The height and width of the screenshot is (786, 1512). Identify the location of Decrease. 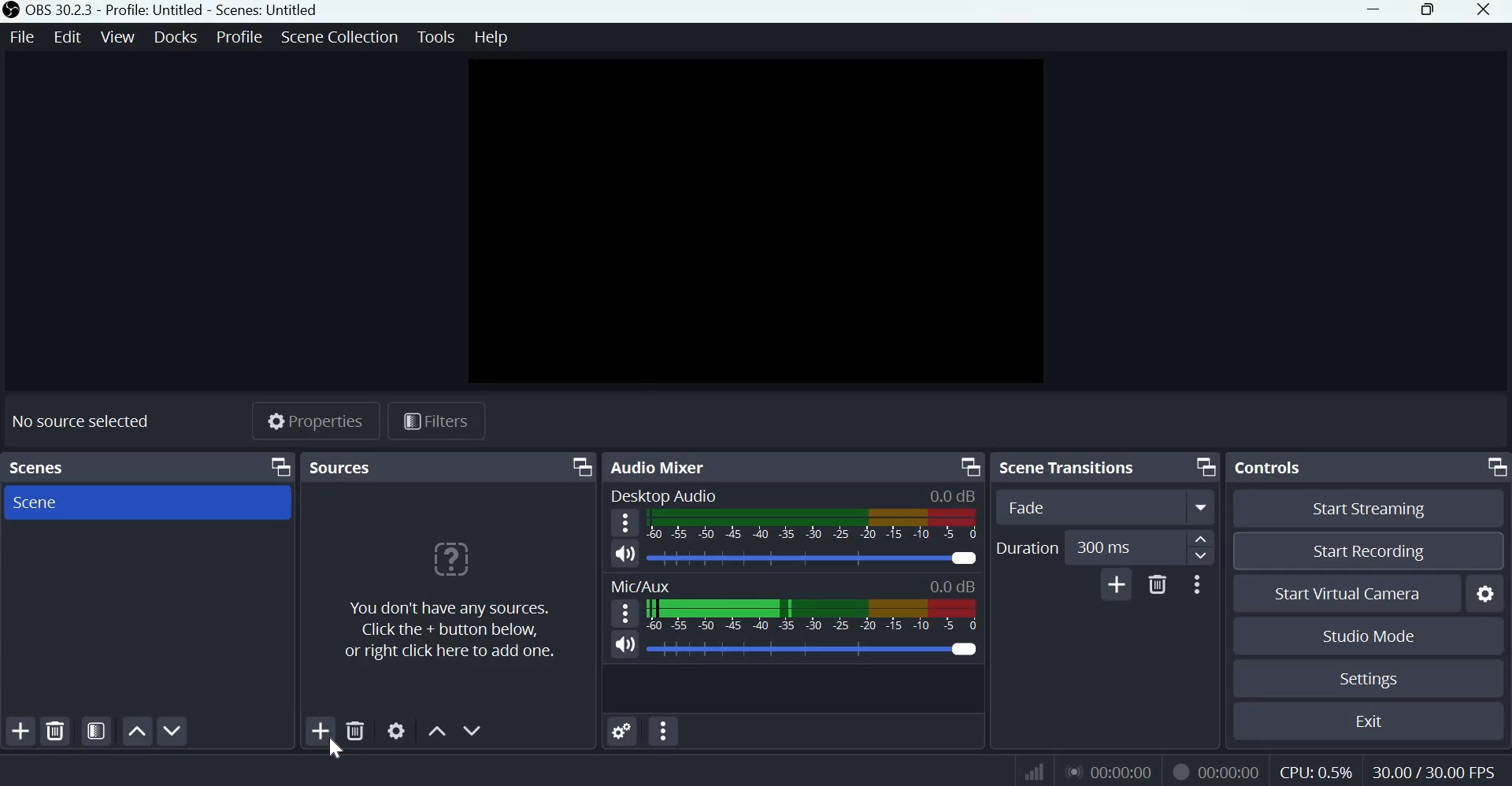
(1204, 558).